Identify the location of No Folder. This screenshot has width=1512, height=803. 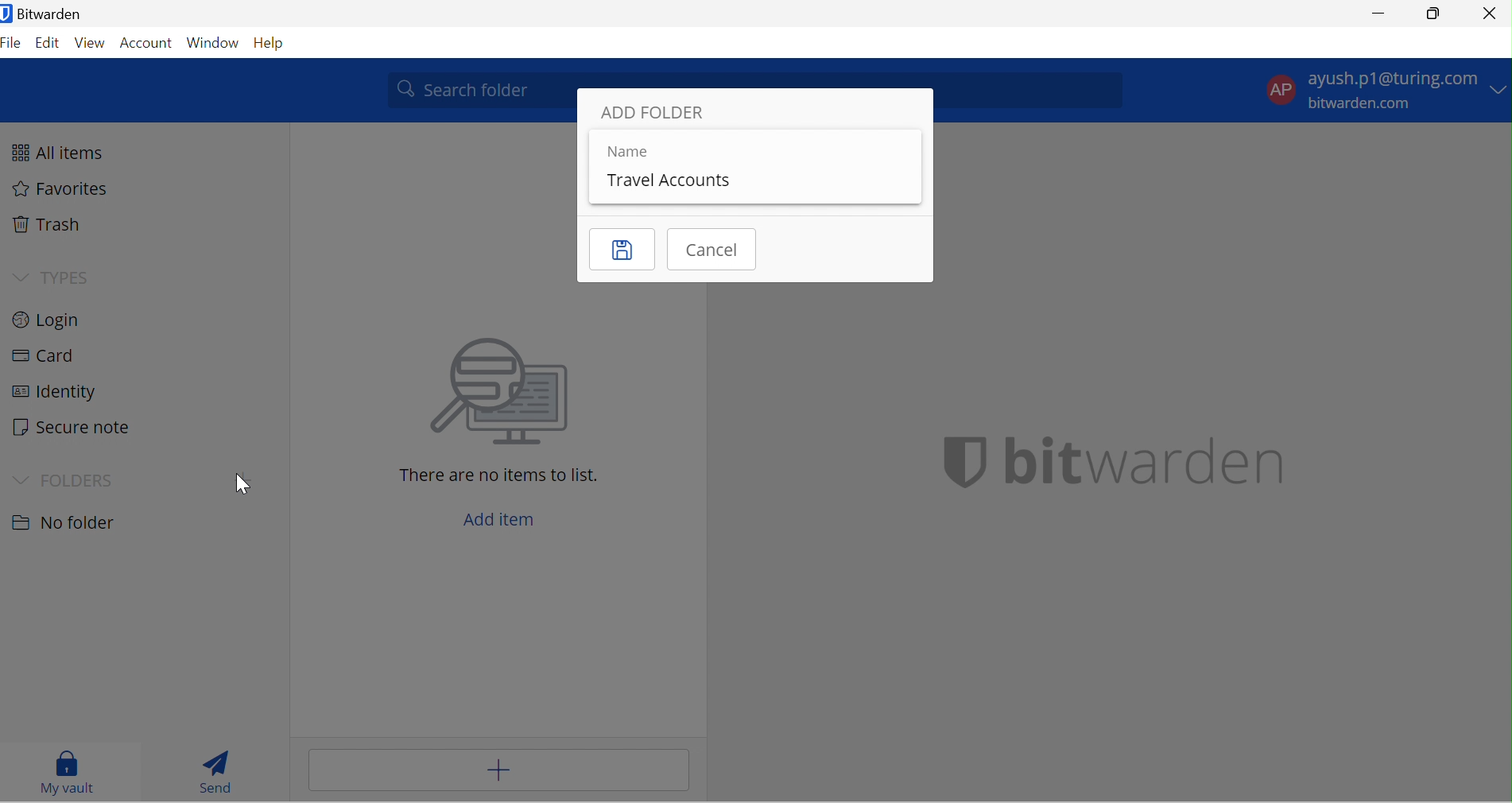
(69, 523).